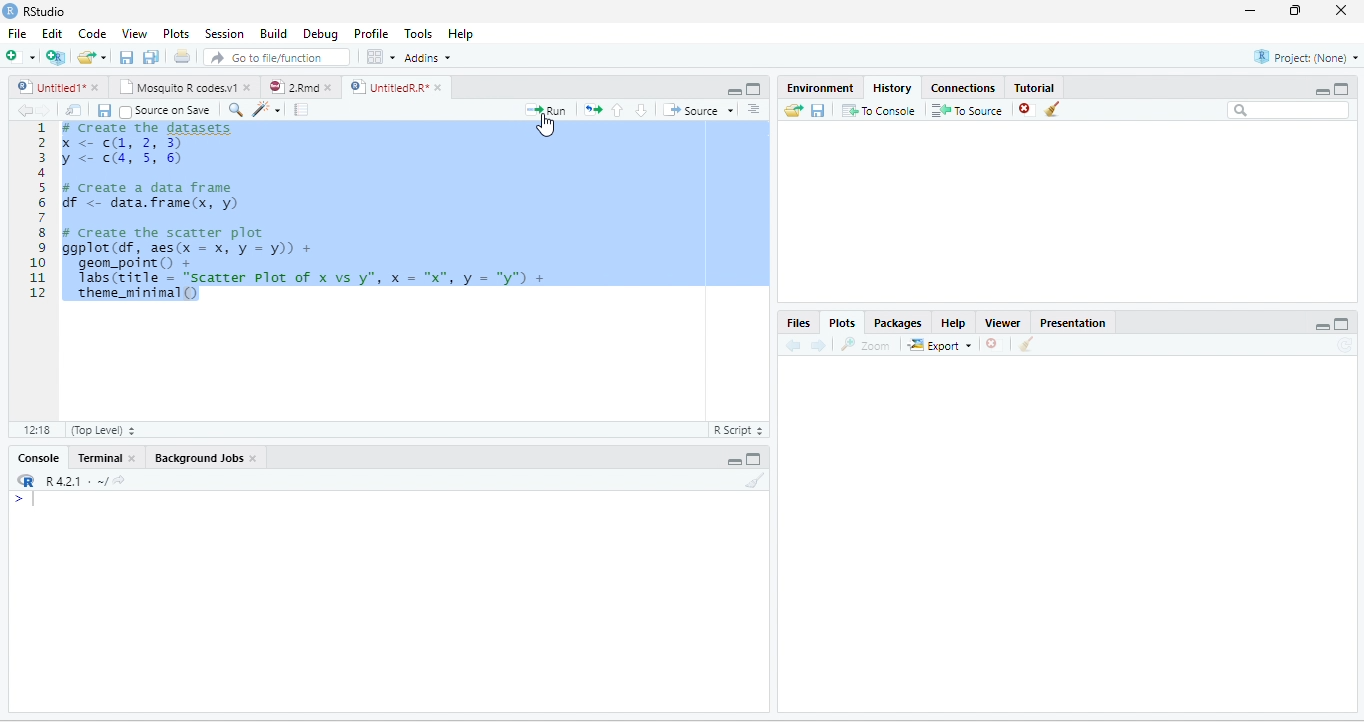  I want to click on Viewer, so click(1004, 322).